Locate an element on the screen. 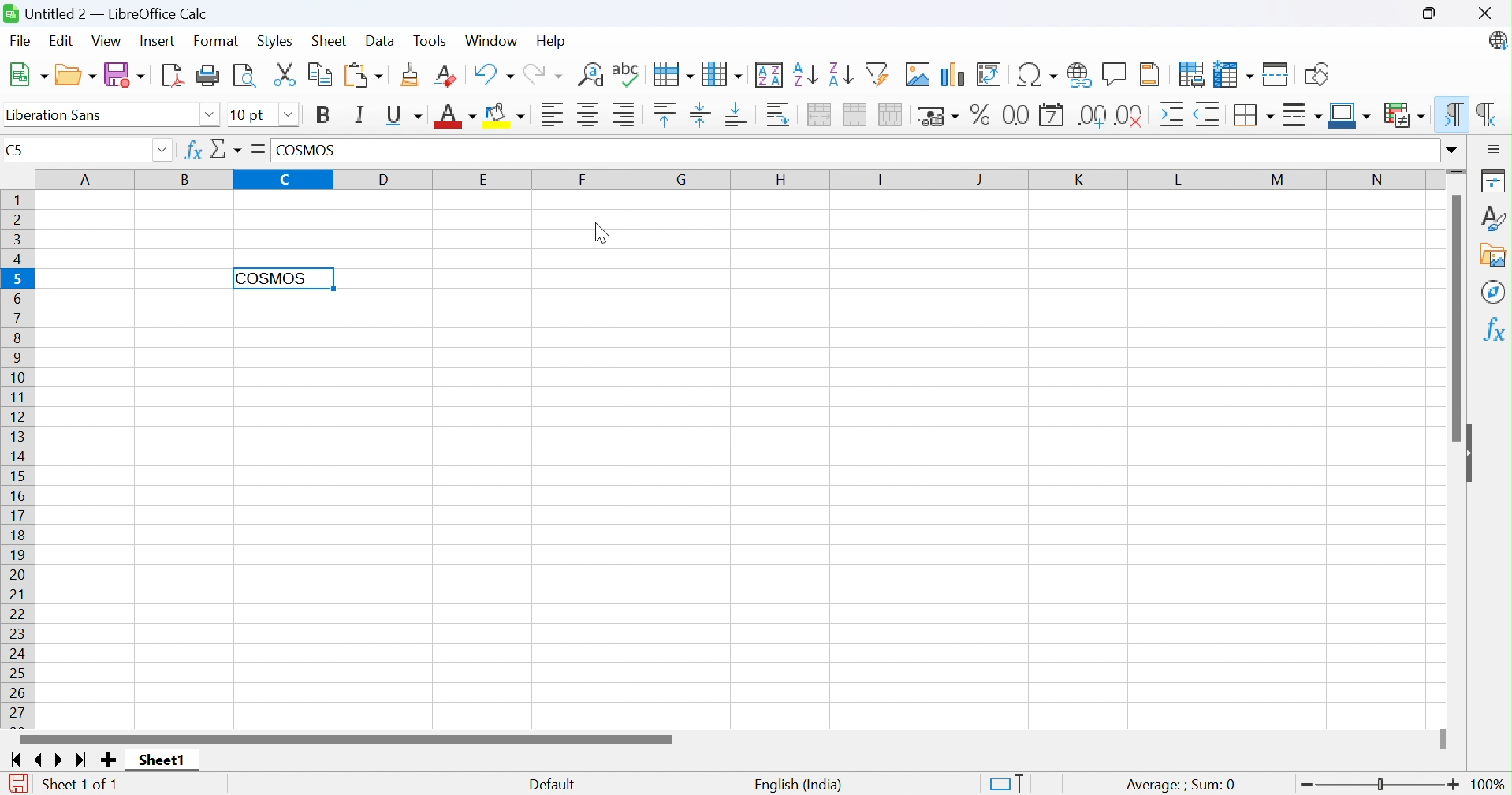  Check spelling is located at coordinates (627, 73).